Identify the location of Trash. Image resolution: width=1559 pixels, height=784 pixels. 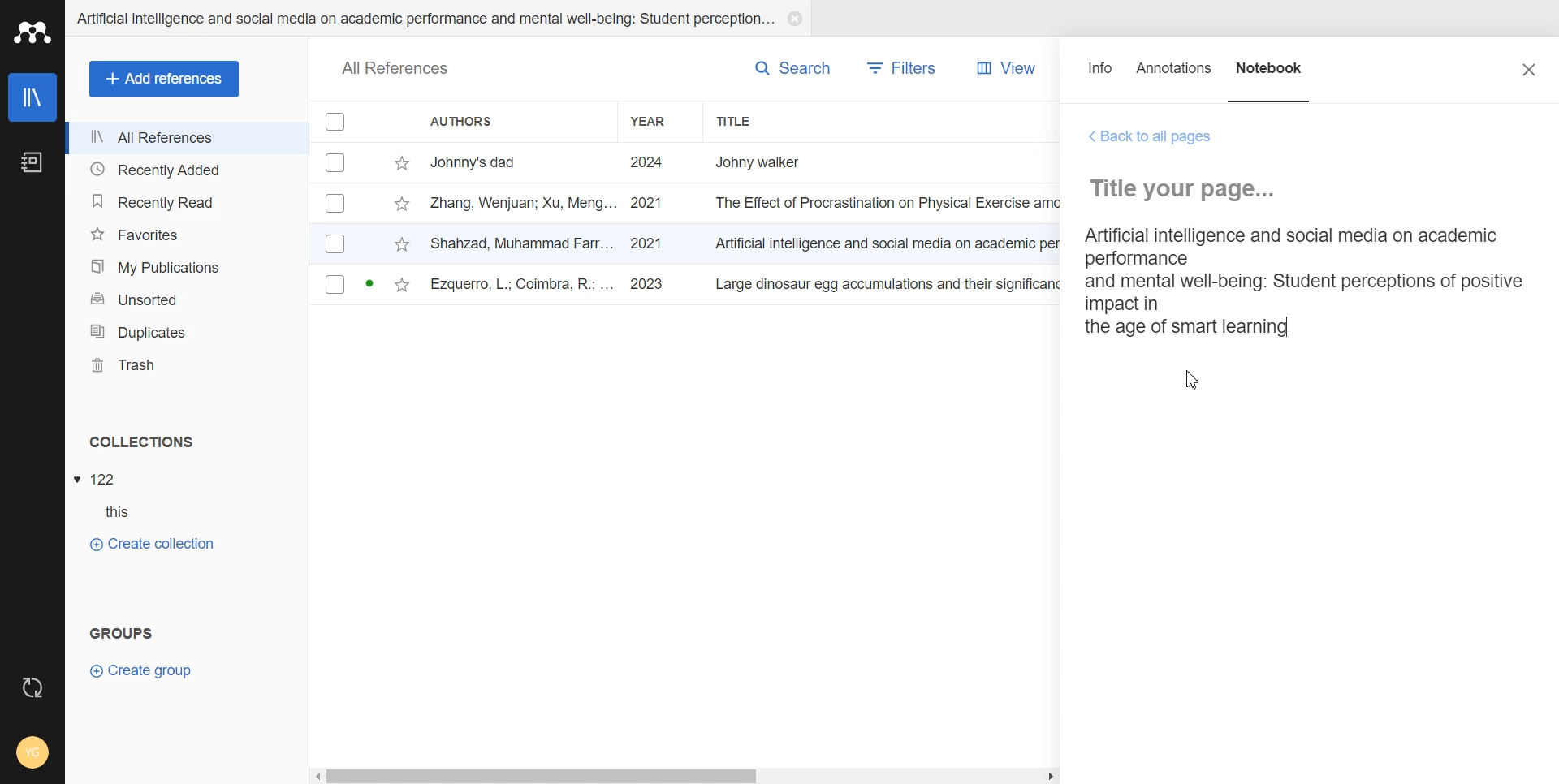
(187, 365).